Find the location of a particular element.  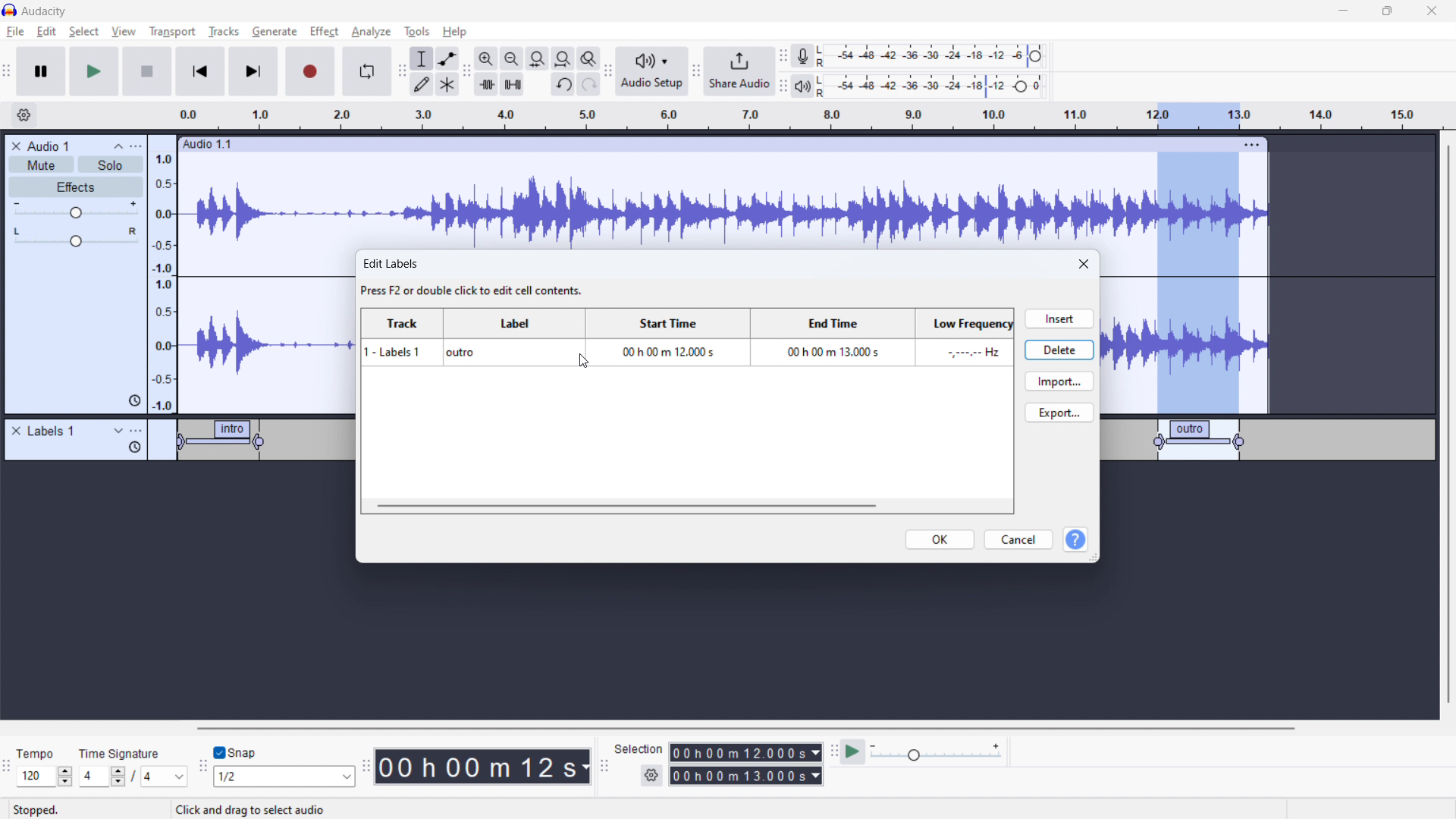

selection start time is located at coordinates (746, 752).